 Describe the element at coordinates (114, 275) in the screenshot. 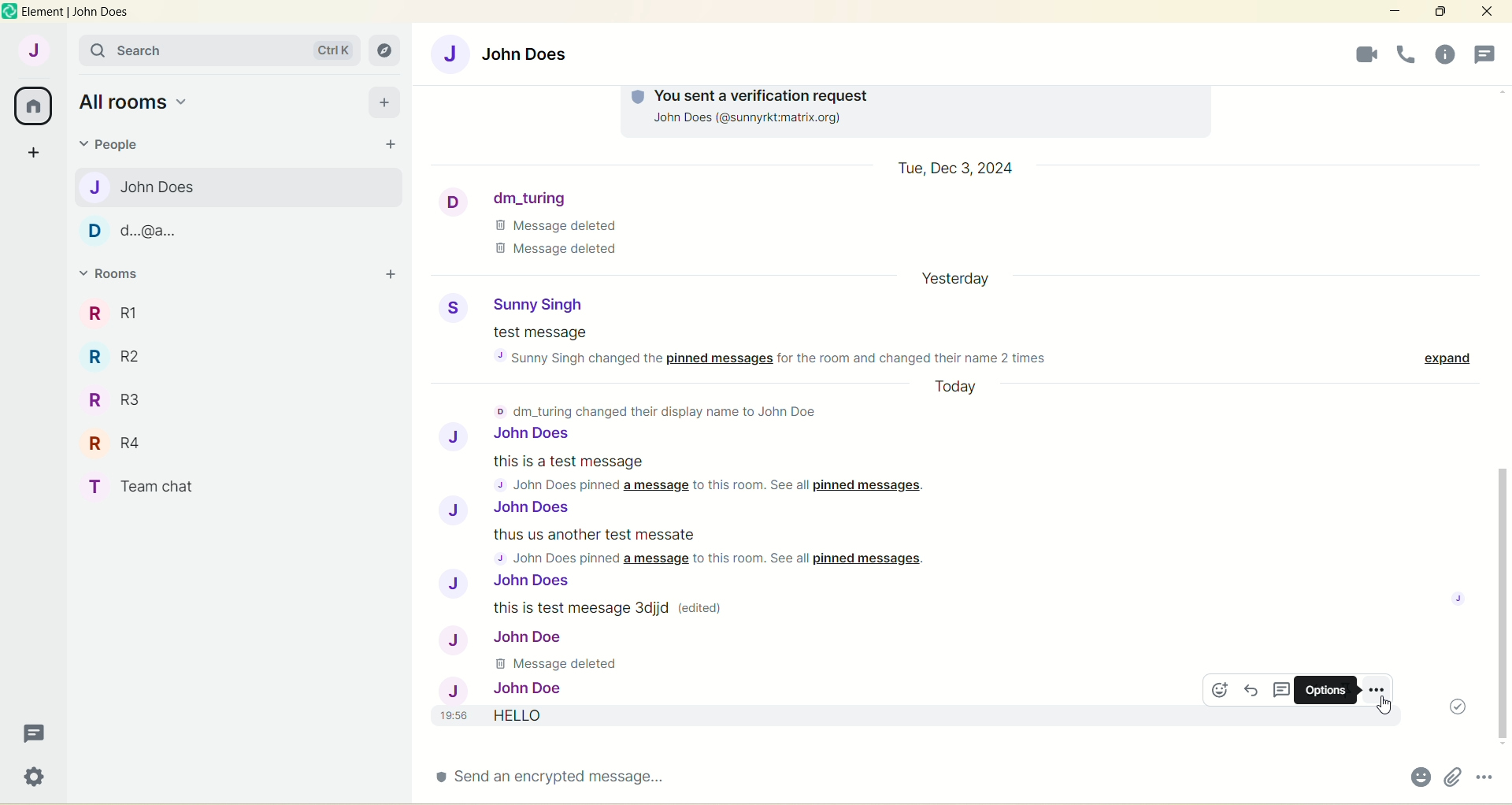

I see `rooms` at that location.